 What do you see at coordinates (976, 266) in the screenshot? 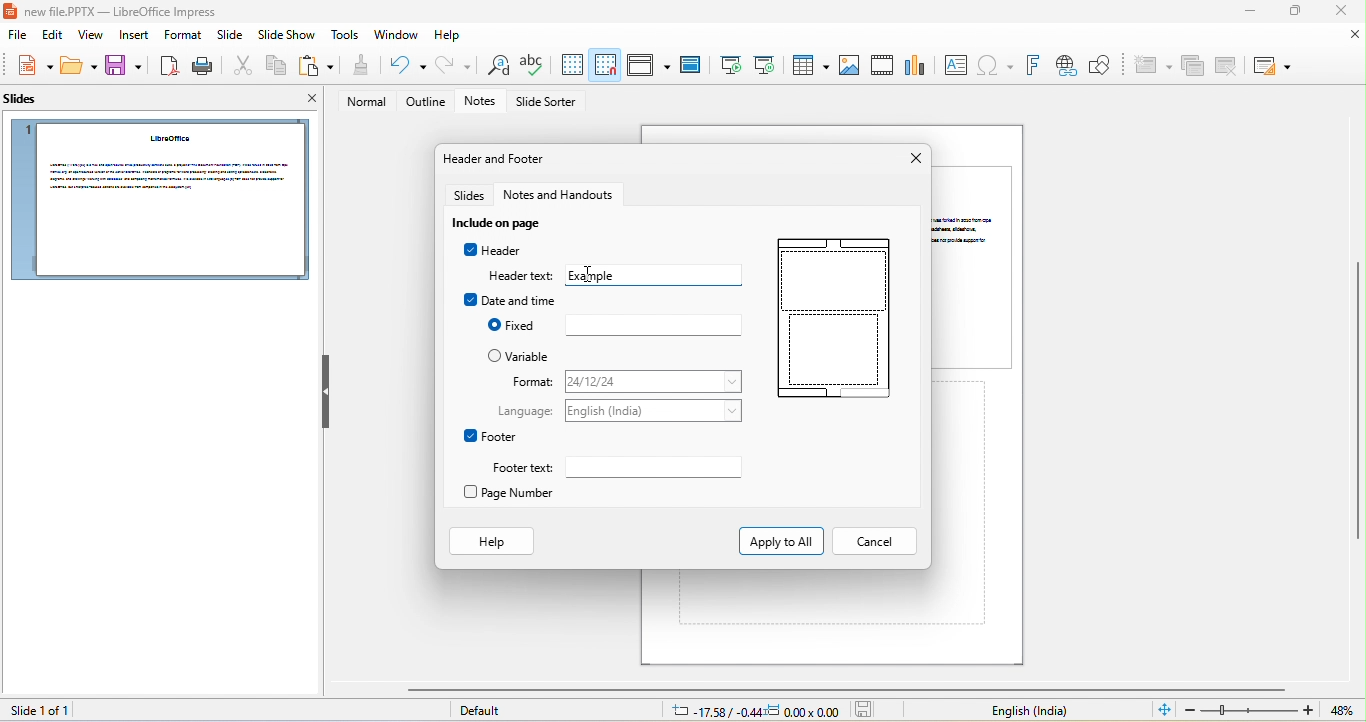
I see `slide` at bounding box center [976, 266].